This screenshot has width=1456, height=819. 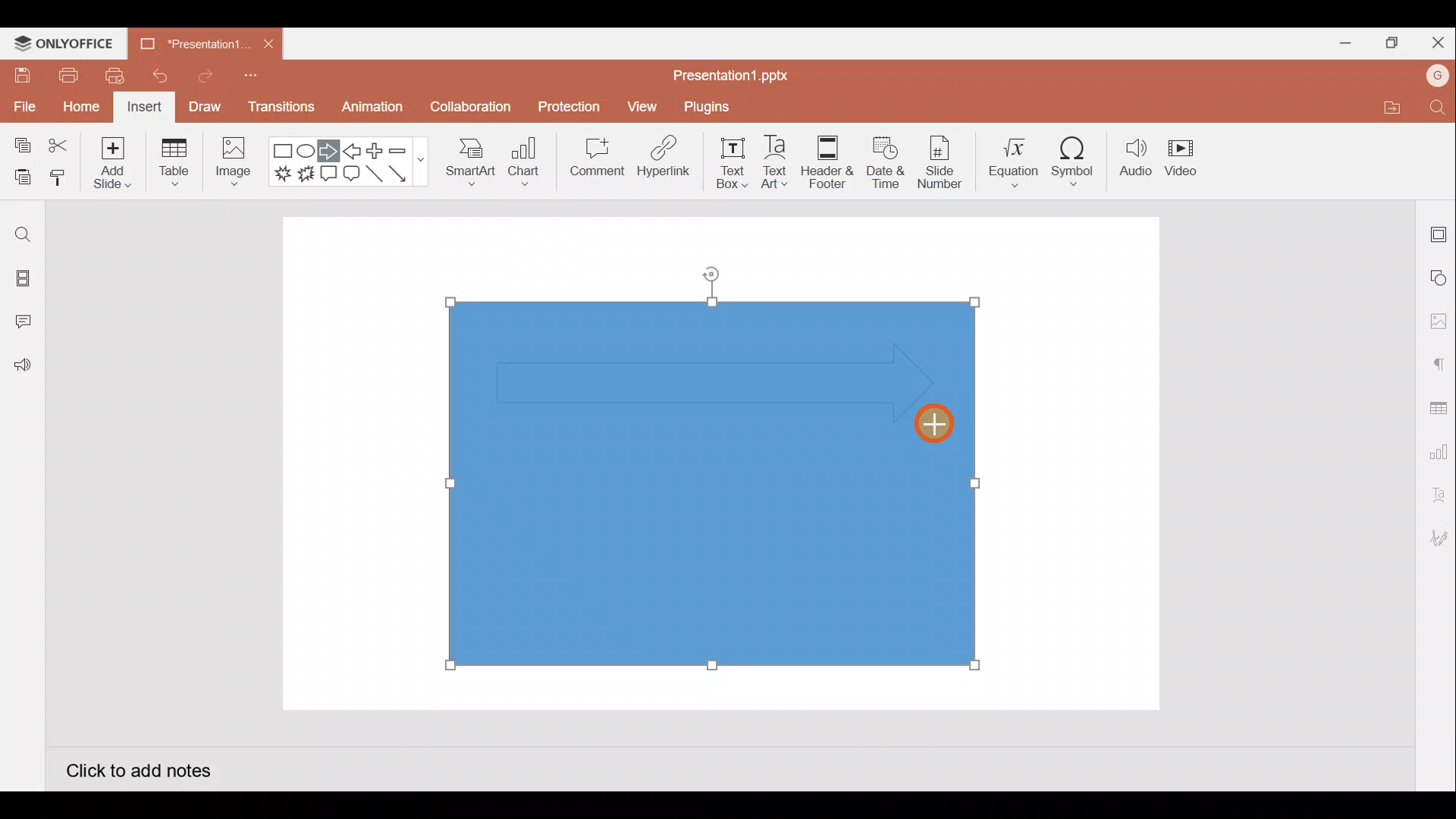 I want to click on Table, so click(x=176, y=164).